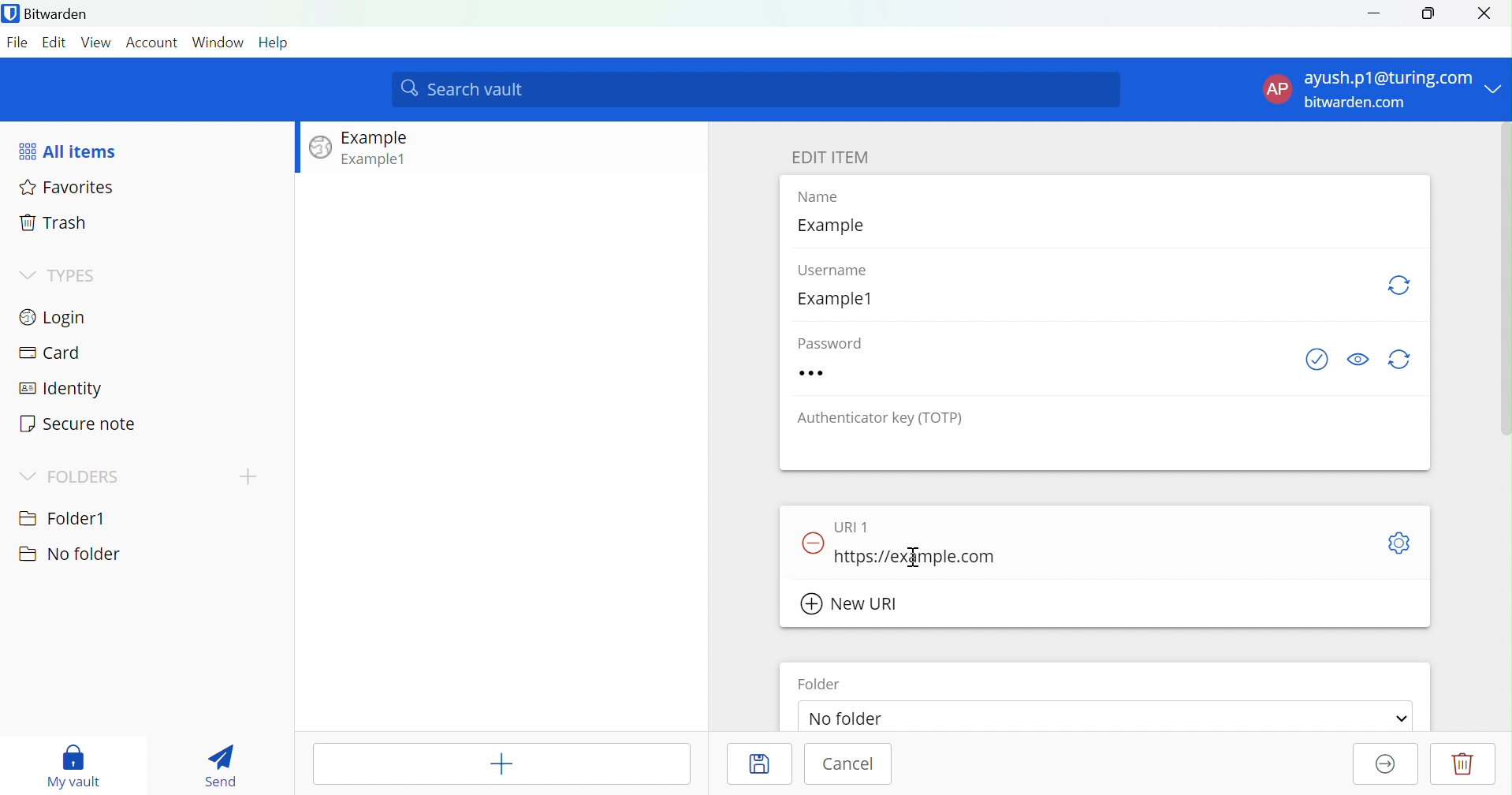 The height and width of the screenshot is (795, 1512). What do you see at coordinates (907, 560) in the screenshot?
I see `cursor` at bounding box center [907, 560].